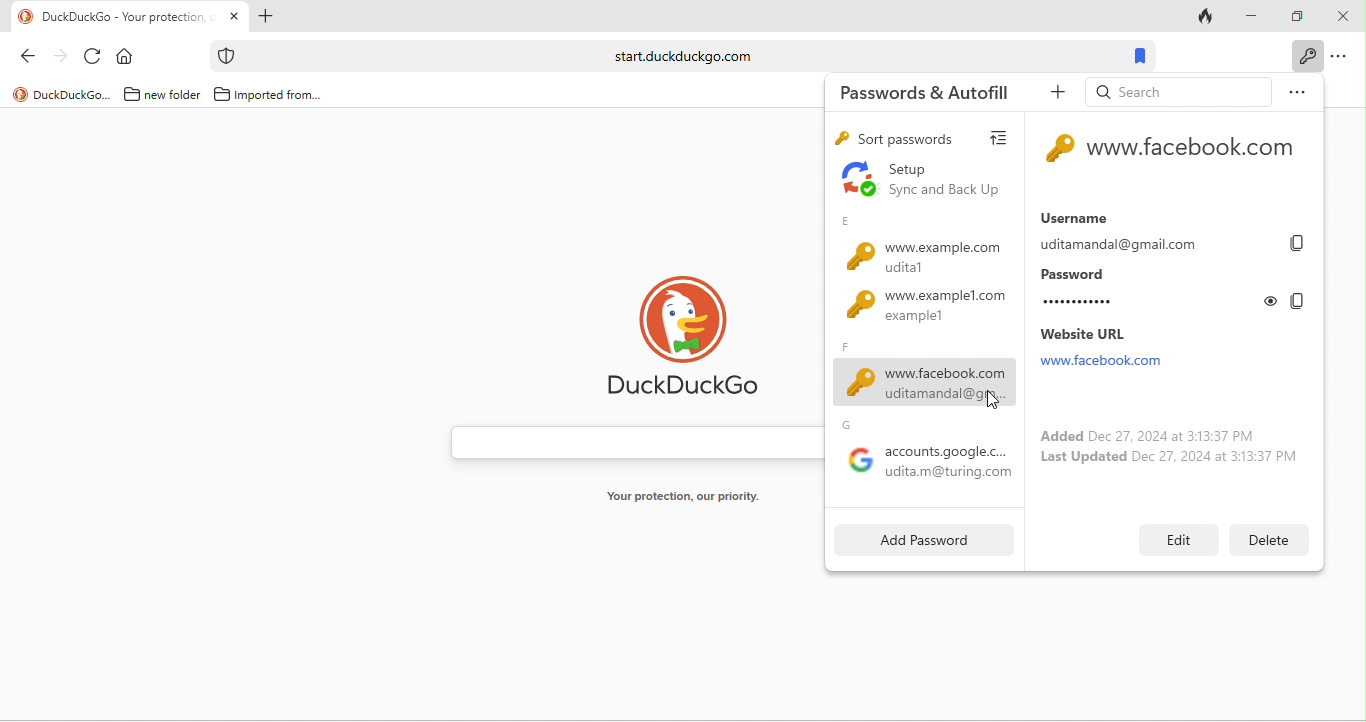 The image size is (1366, 722). What do you see at coordinates (1253, 16) in the screenshot?
I see `minimize` at bounding box center [1253, 16].